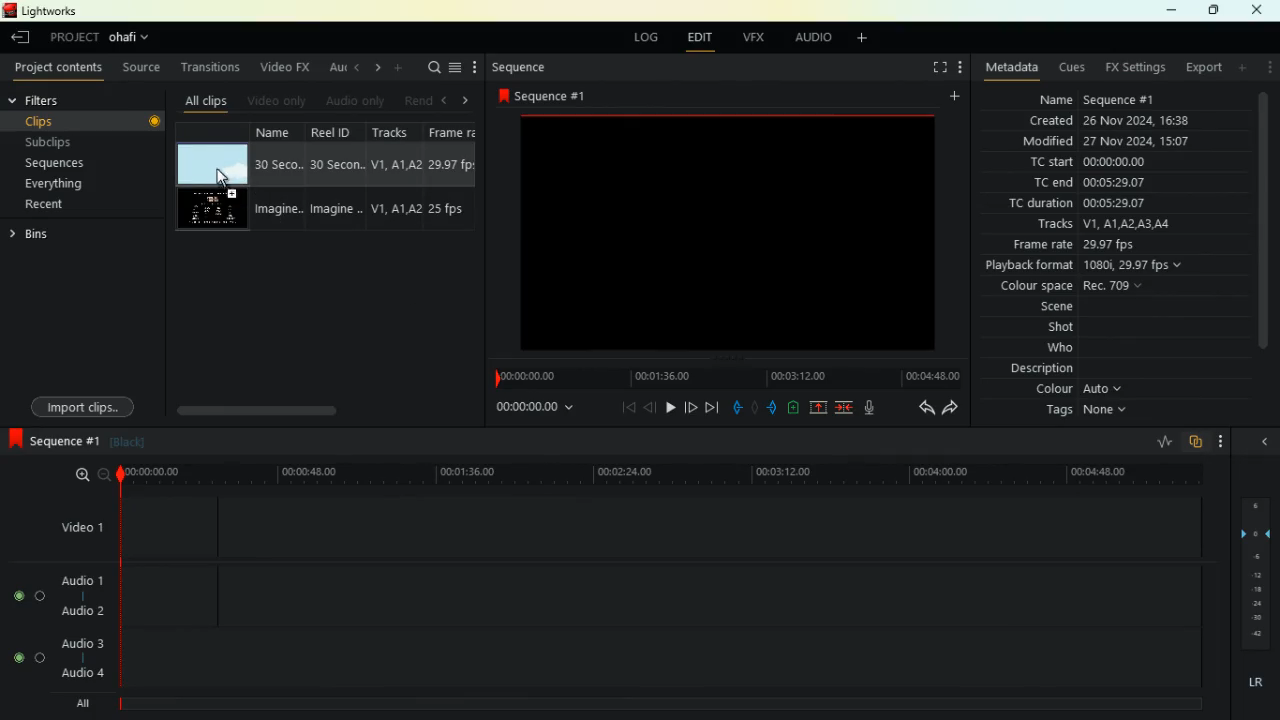  Describe the element at coordinates (359, 69) in the screenshot. I see `left` at that location.